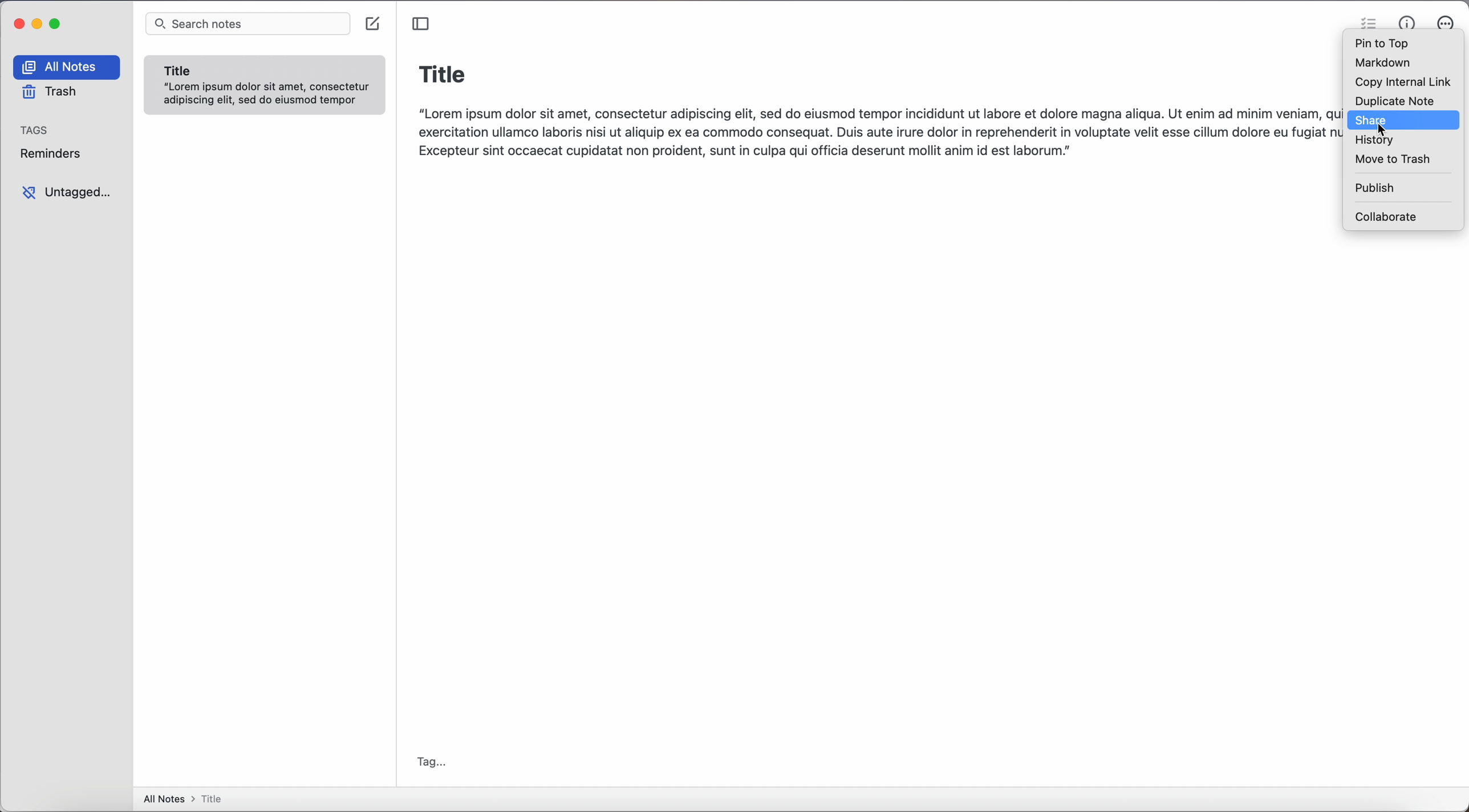  What do you see at coordinates (69, 67) in the screenshot?
I see `all notes` at bounding box center [69, 67].